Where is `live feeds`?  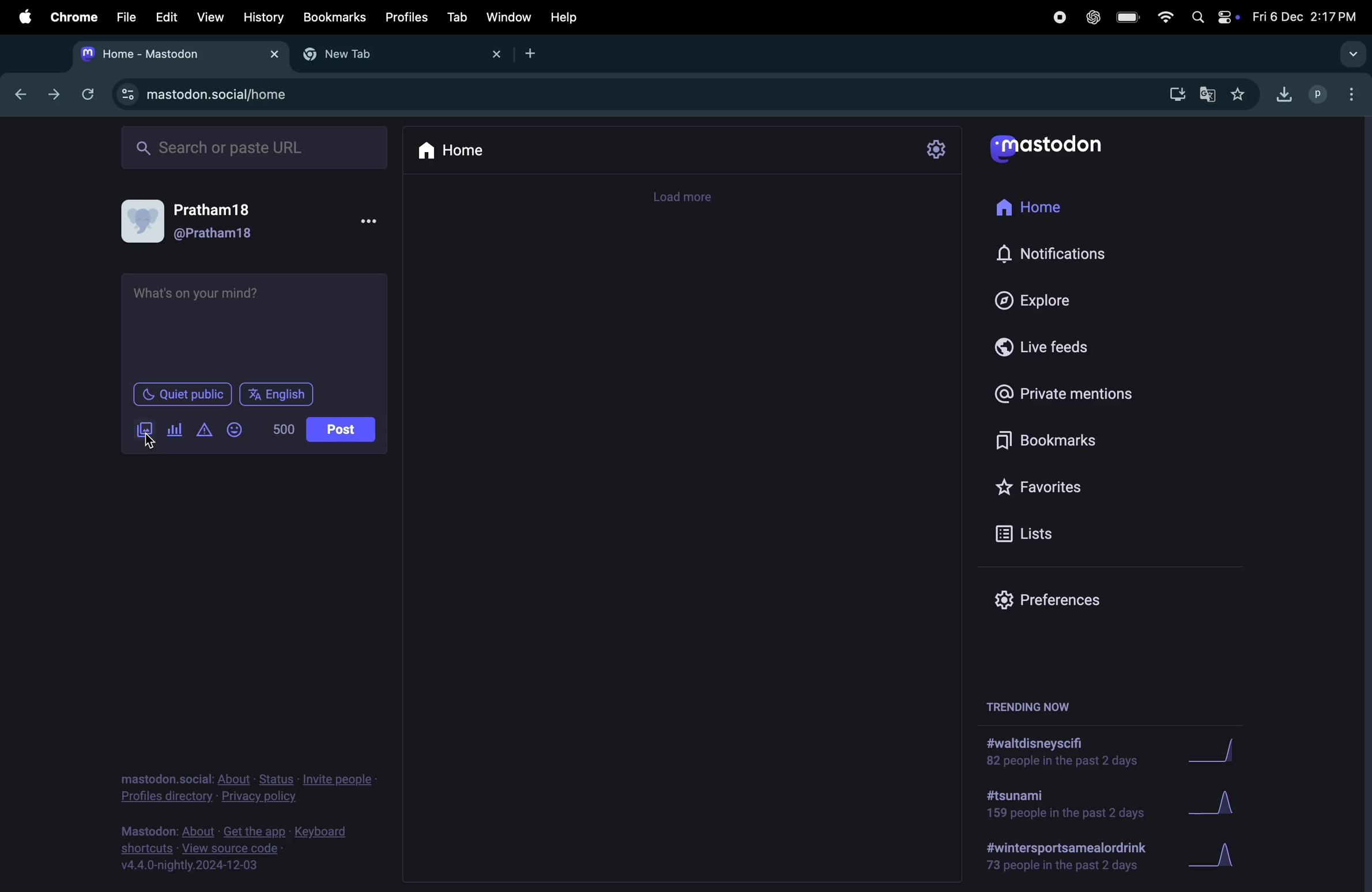 live feeds is located at coordinates (1053, 351).